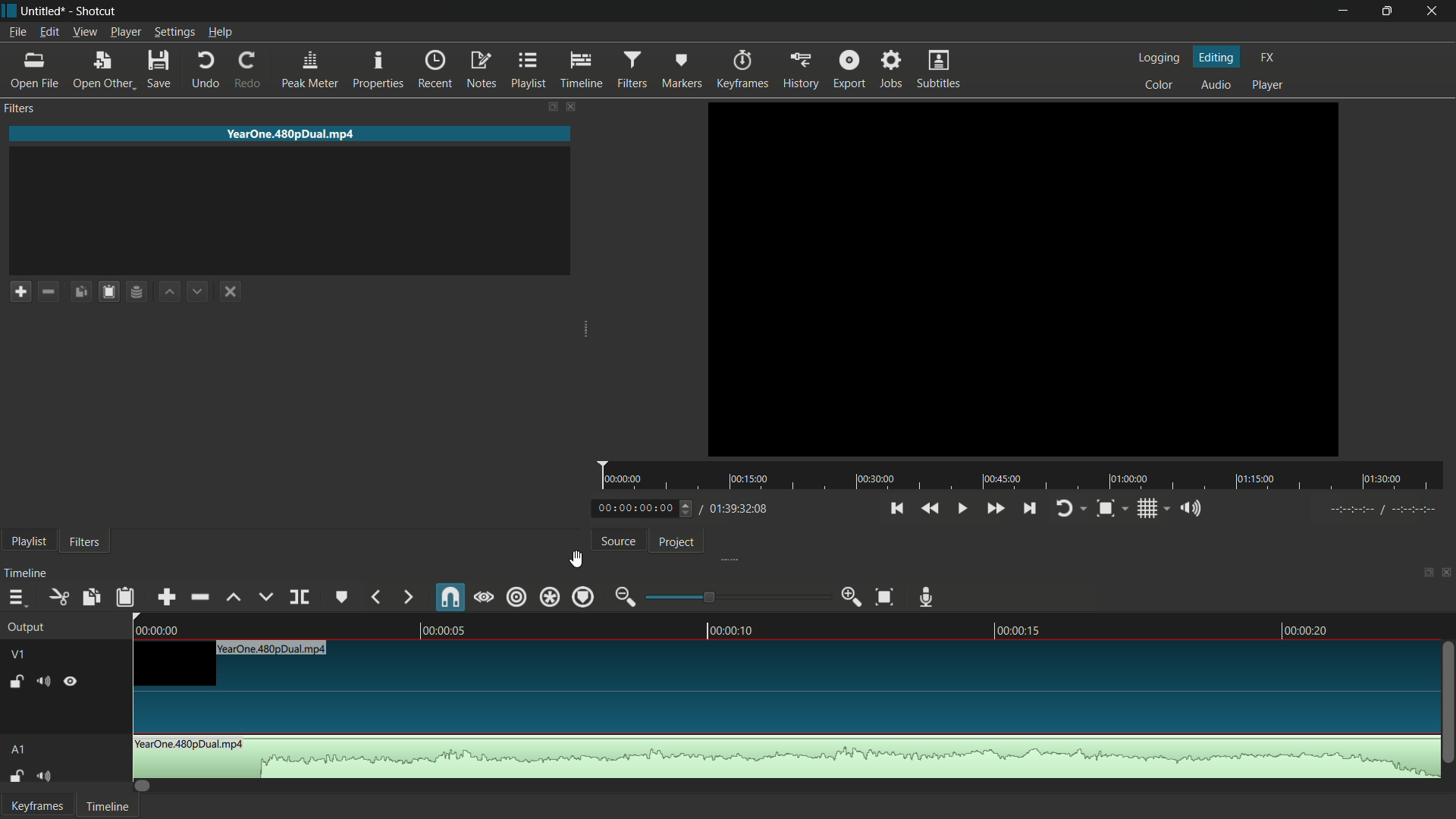 This screenshot has height=819, width=1456. What do you see at coordinates (378, 71) in the screenshot?
I see `properties` at bounding box center [378, 71].